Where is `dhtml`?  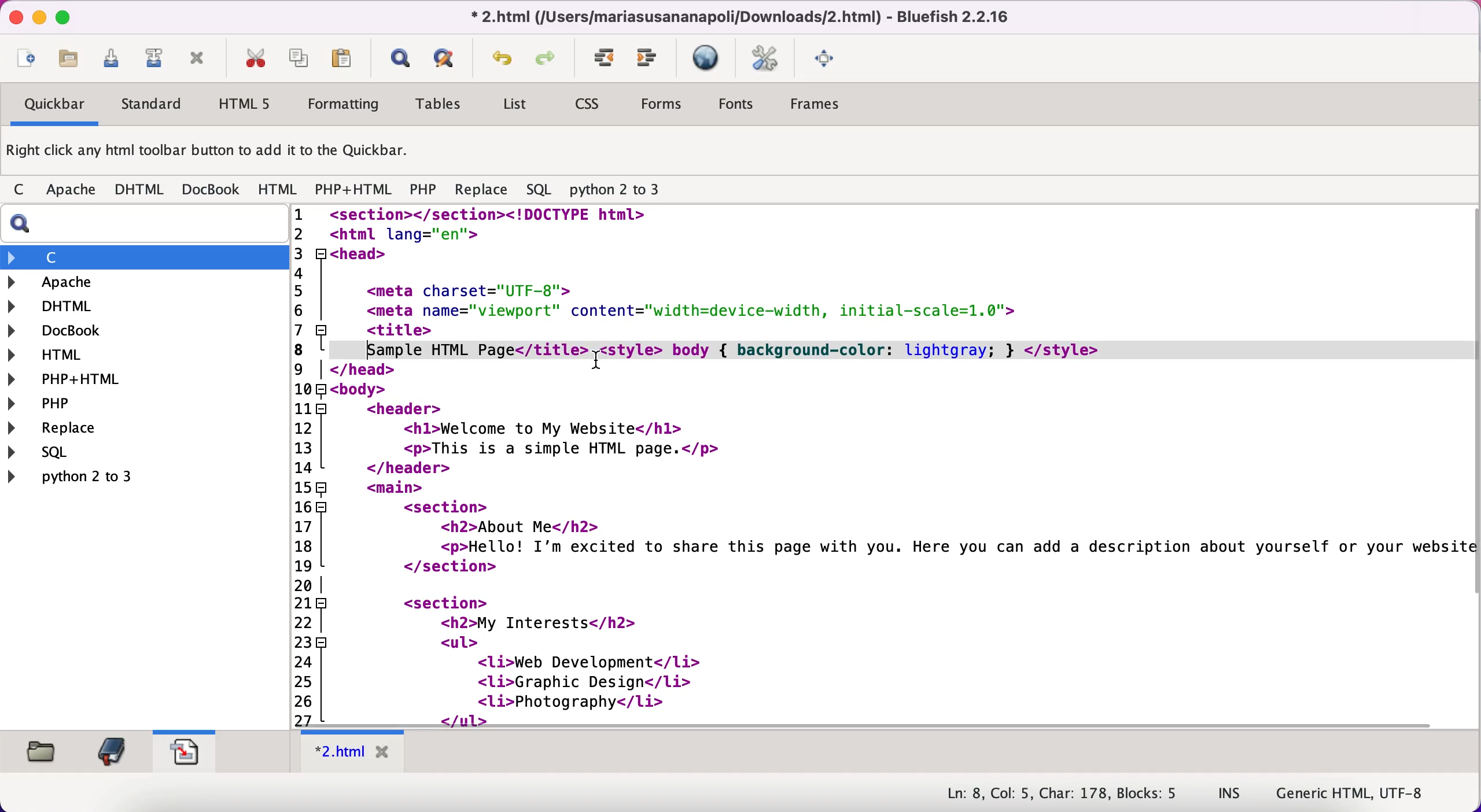 dhtml is located at coordinates (58, 305).